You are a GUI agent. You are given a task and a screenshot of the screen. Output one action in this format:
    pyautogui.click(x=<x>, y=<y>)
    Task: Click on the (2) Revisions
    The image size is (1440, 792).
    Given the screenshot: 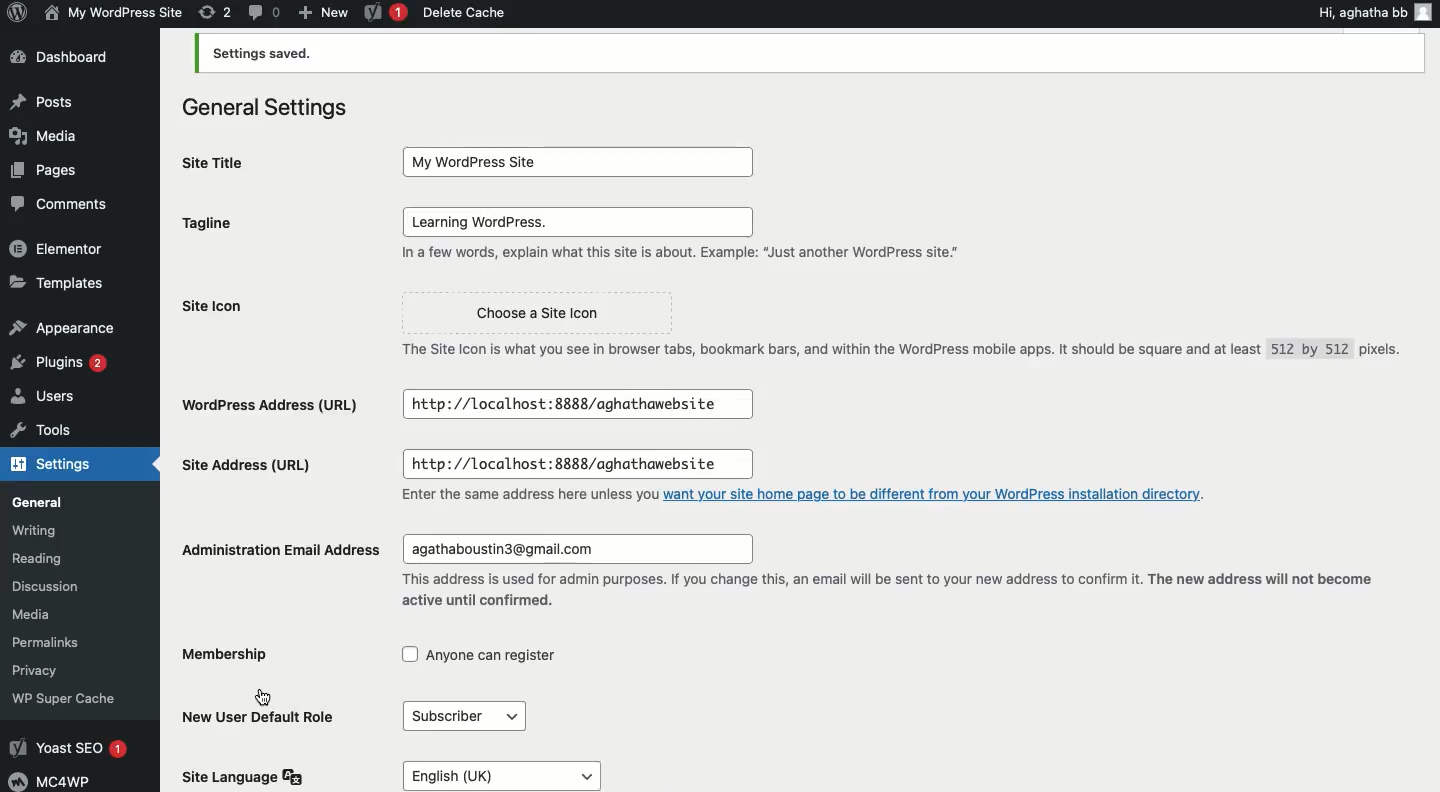 What is the action you would take?
    pyautogui.click(x=212, y=11)
    